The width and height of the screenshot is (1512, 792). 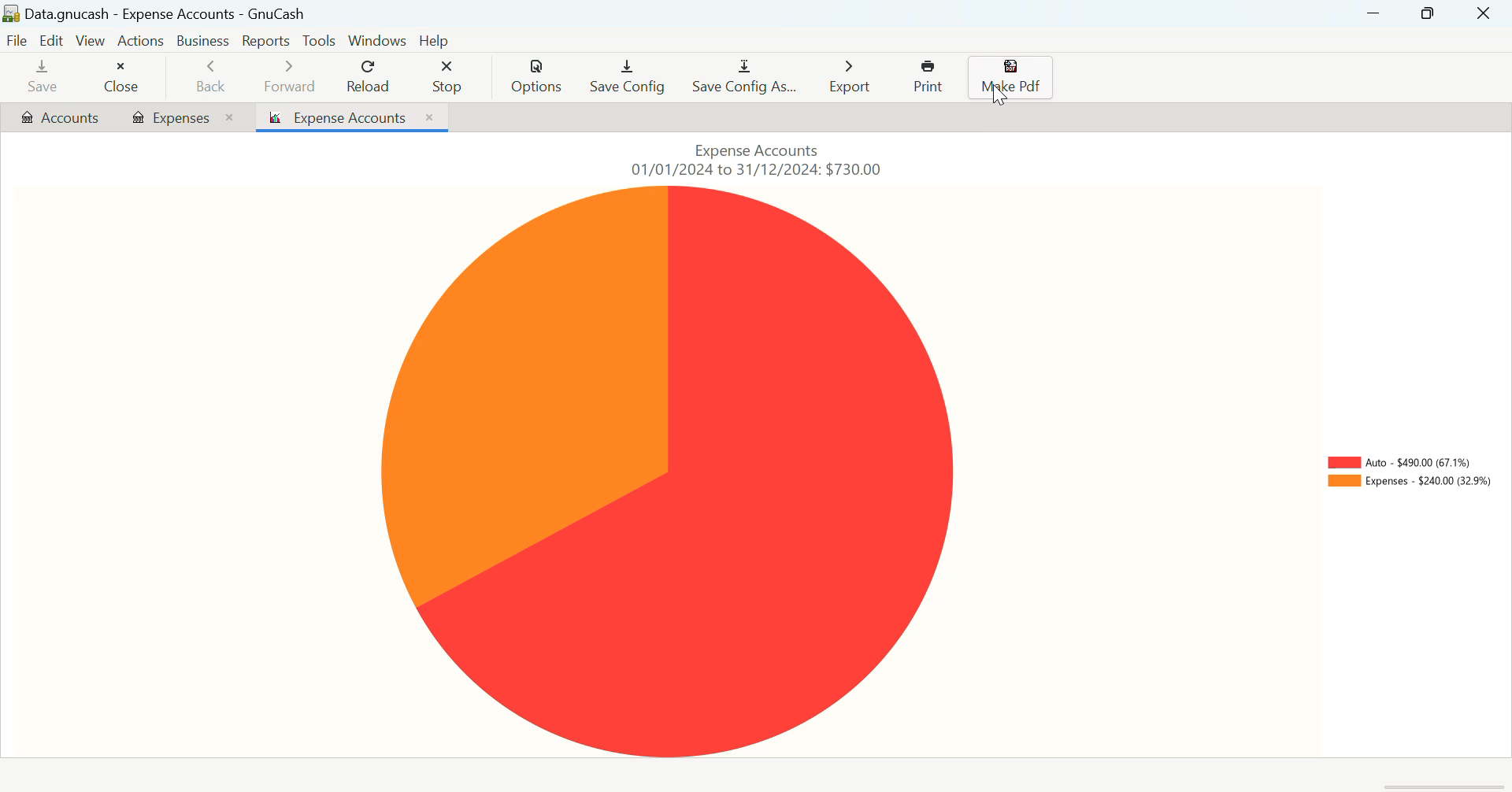 I want to click on Close Window, so click(x=1485, y=13).